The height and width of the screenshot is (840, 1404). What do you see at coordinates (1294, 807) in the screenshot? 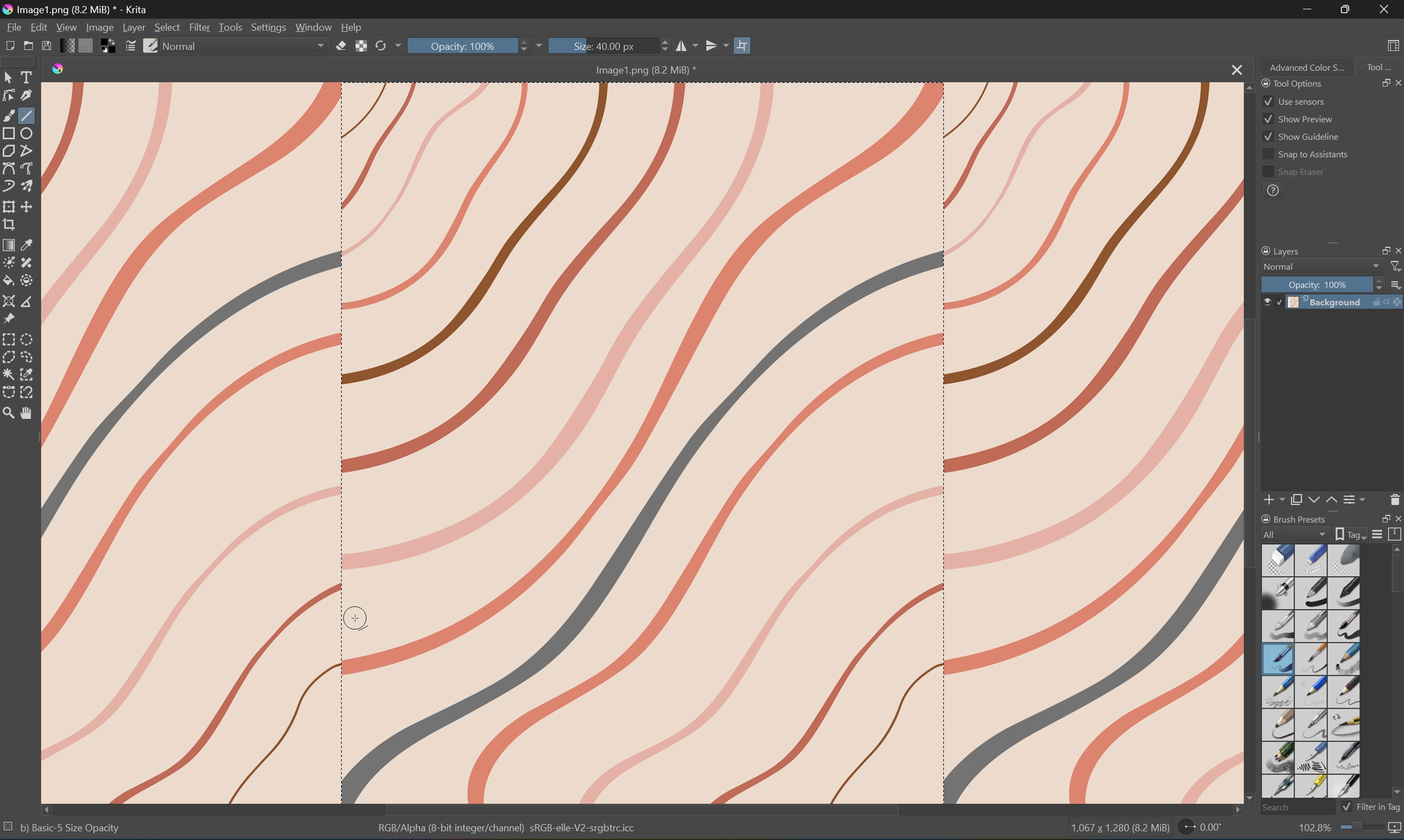
I see `Search` at bounding box center [1294, 807].